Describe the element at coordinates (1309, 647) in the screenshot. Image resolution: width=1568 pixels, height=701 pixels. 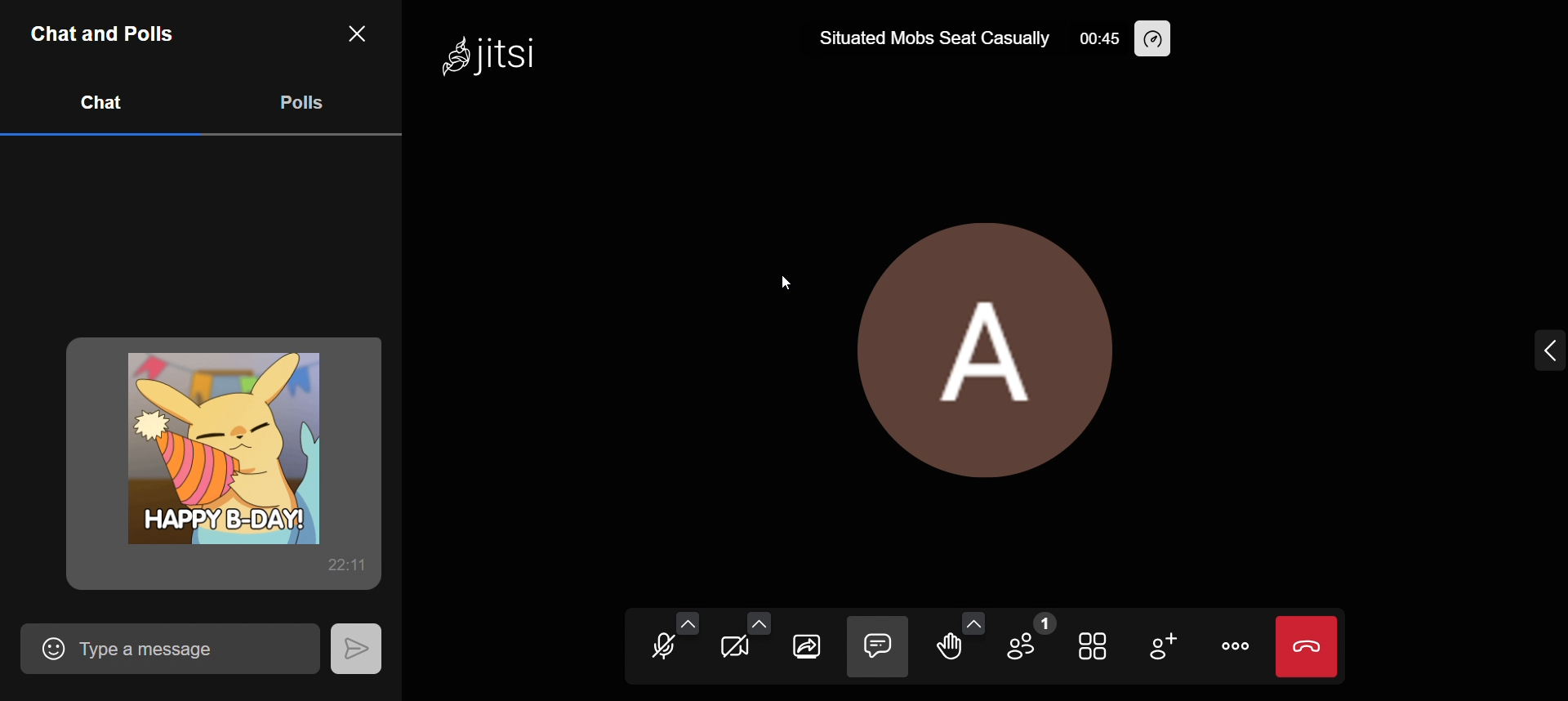
I see `end call` at that location.